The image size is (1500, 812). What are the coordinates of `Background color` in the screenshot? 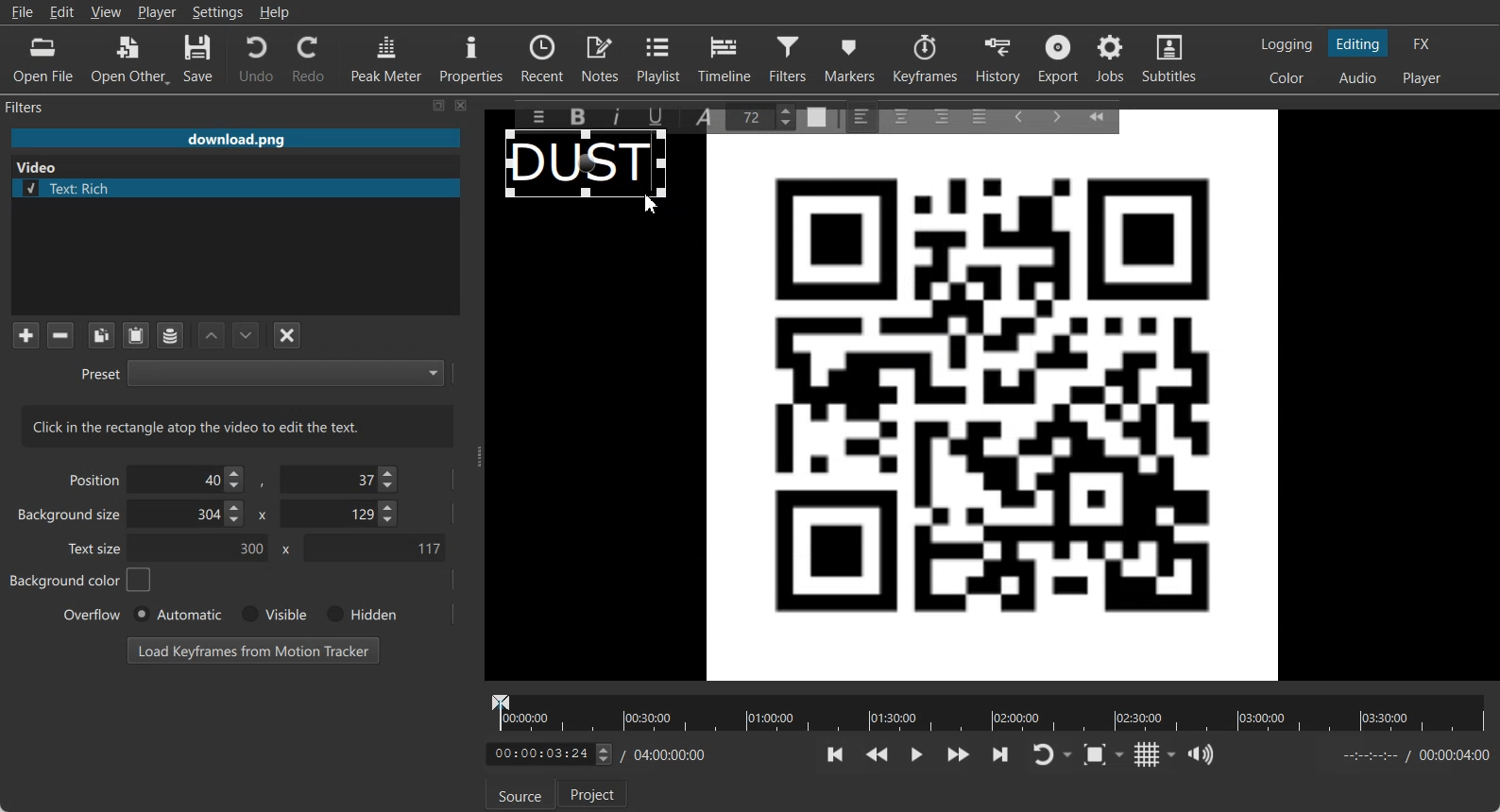 It's located at (81, 580).